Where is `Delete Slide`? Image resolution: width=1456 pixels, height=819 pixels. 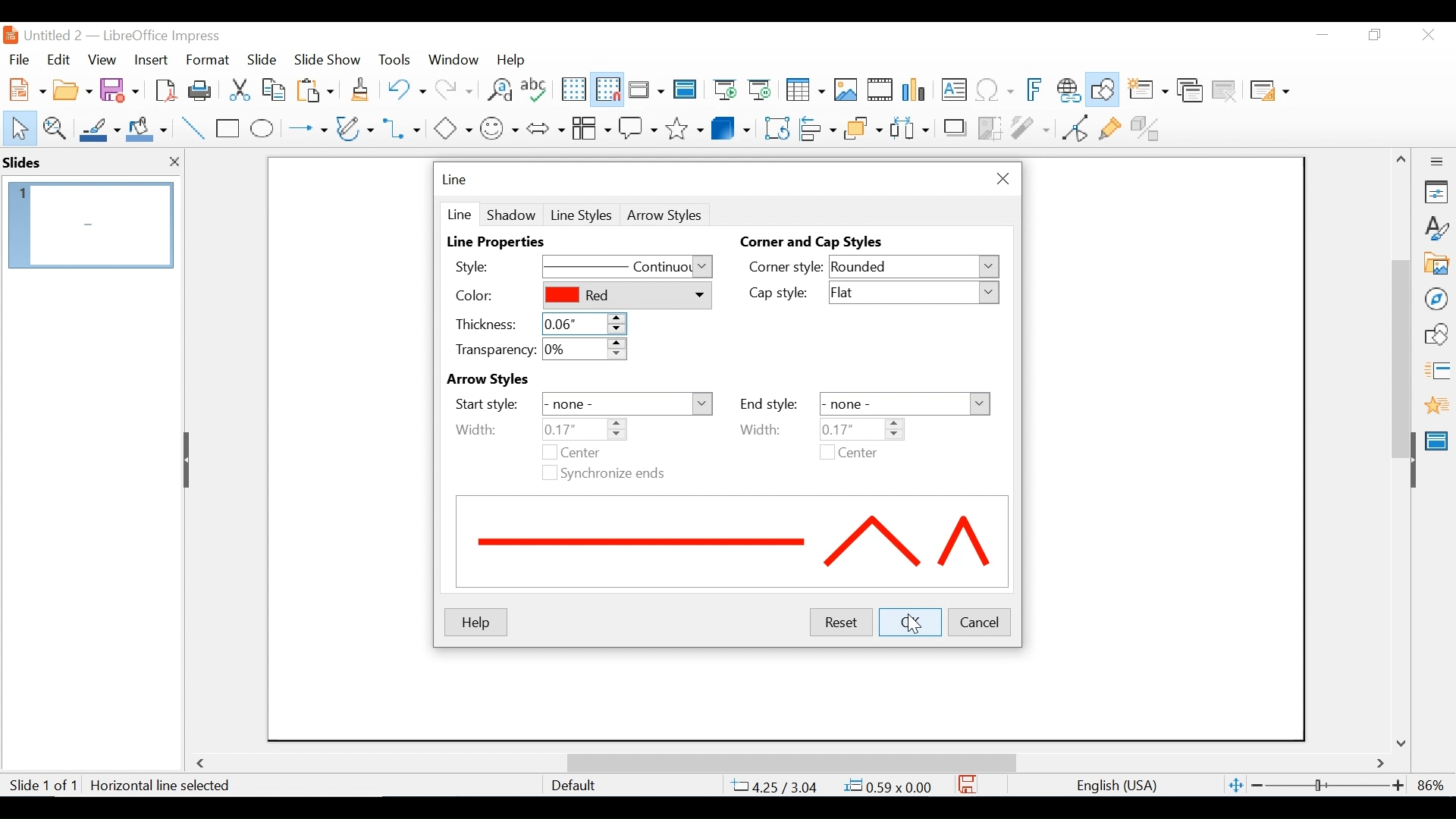
Delete Slide is located at coordinates (1223, 91).